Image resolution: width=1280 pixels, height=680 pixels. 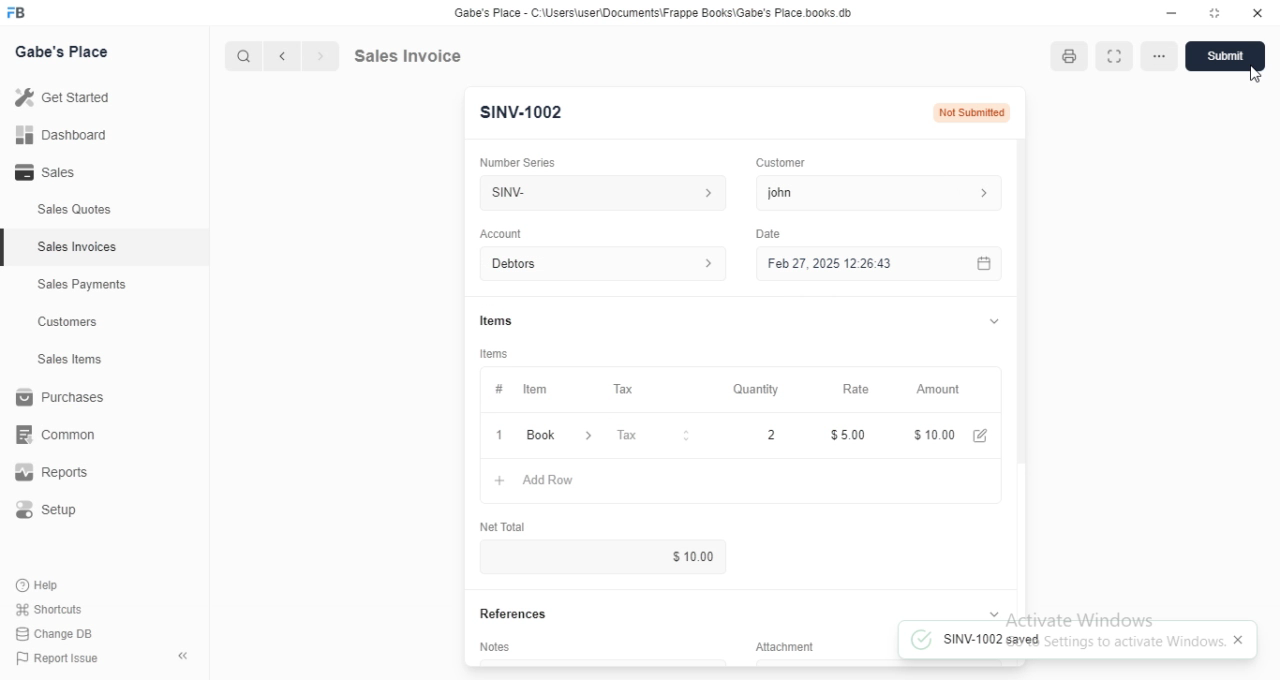 What do you see at coordinates (628, 388) in the screenshot?
I see `Tax` at bounding box center [628, 388].